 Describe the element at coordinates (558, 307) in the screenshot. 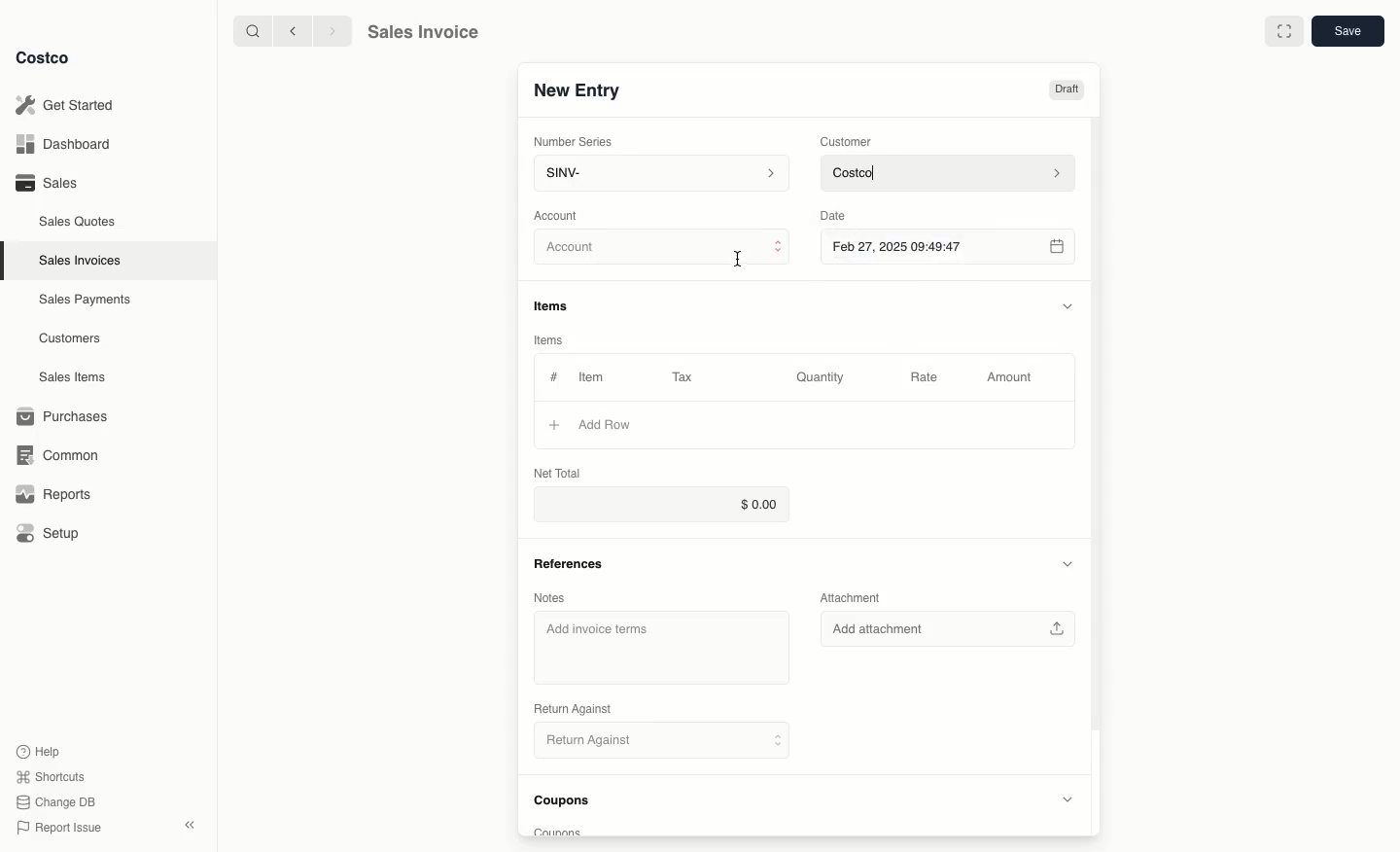

I see `Items` at that location.